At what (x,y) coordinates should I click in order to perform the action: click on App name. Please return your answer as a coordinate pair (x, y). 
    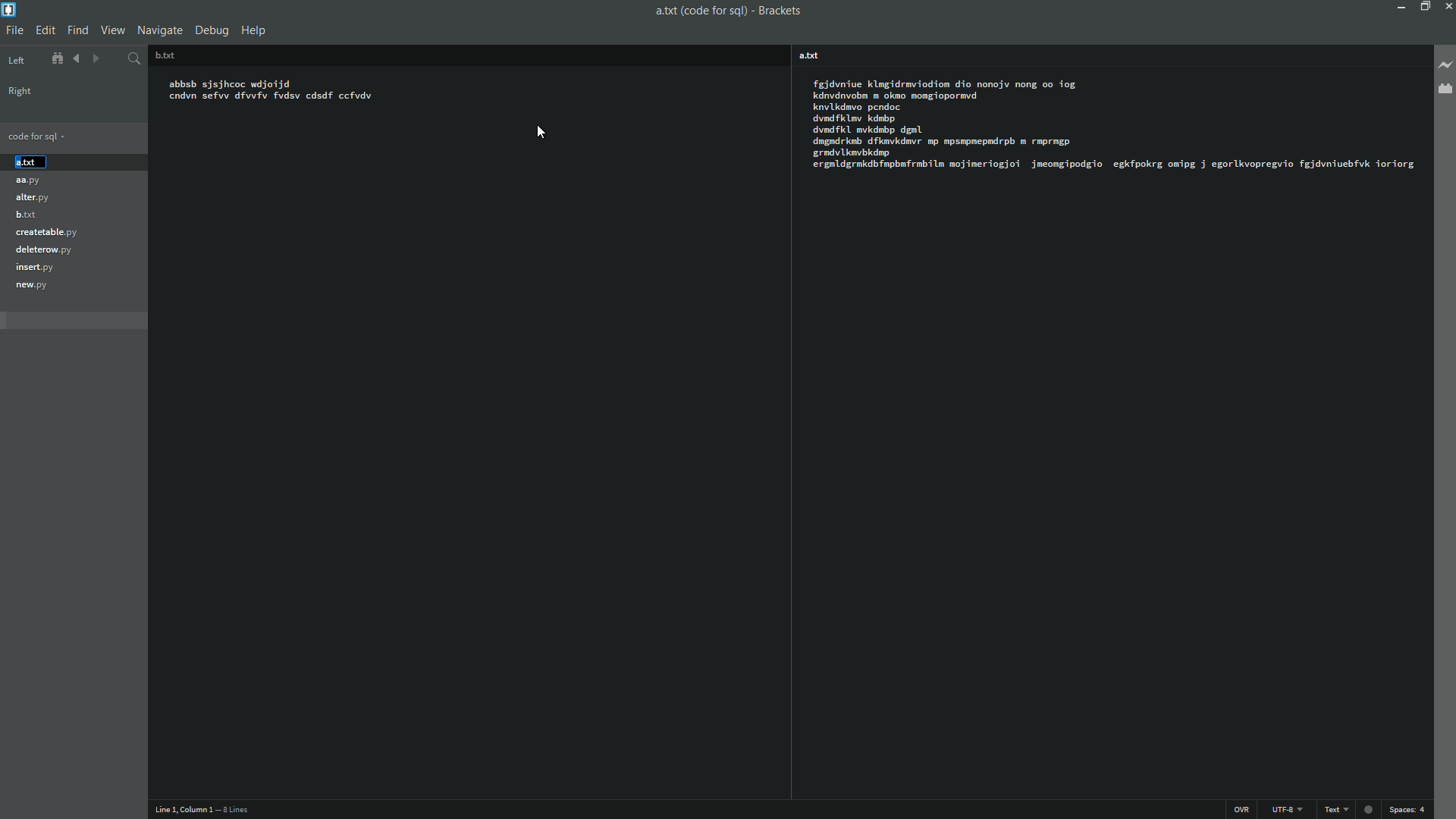
    Looking at the image, I should click on (779, 9).